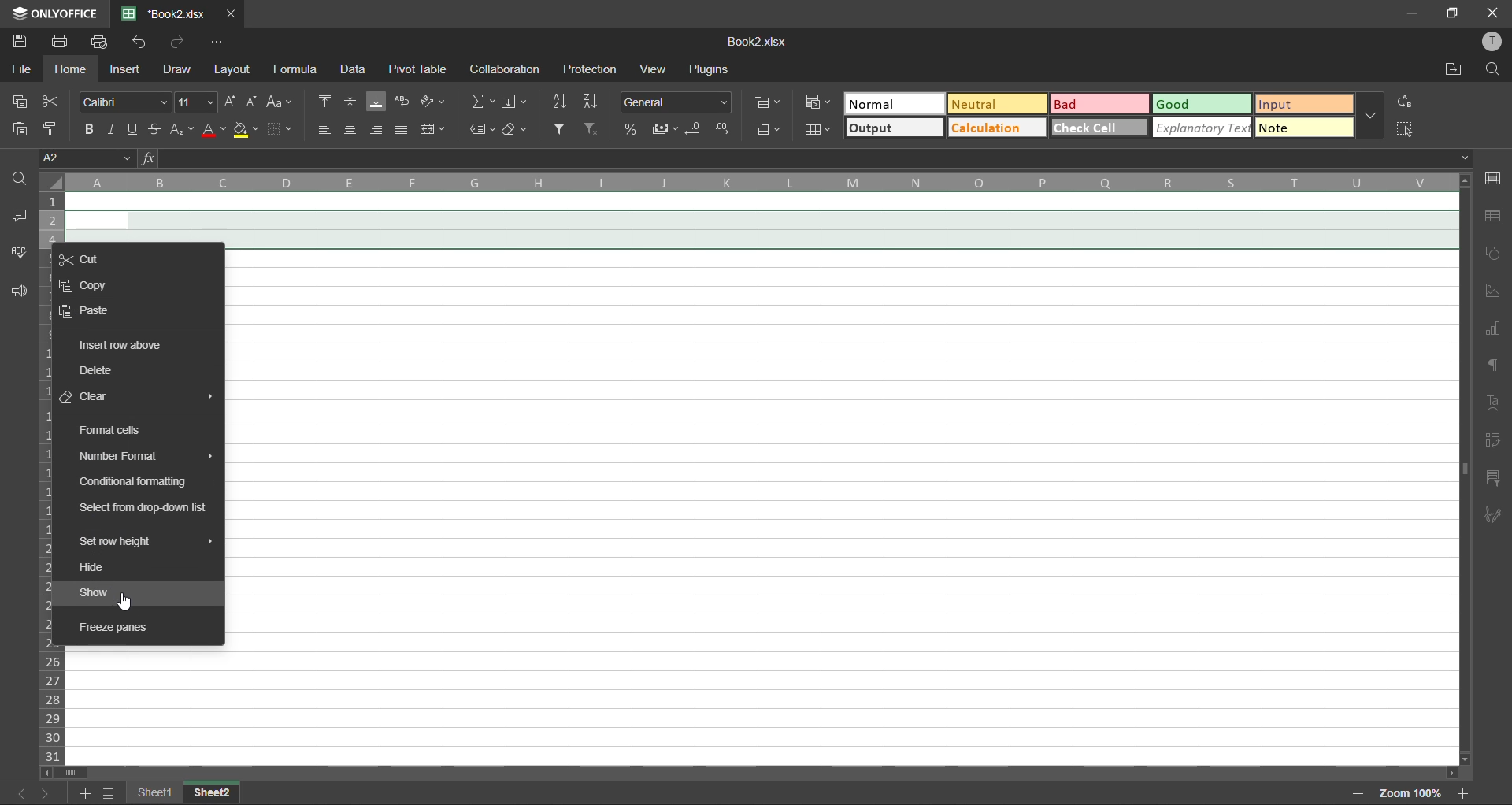 This screenshot has height=805, width=1512. What do you see at coordinates (231, 102) in the screenshot?
I see `increment size` at bounding box center [231, 102].